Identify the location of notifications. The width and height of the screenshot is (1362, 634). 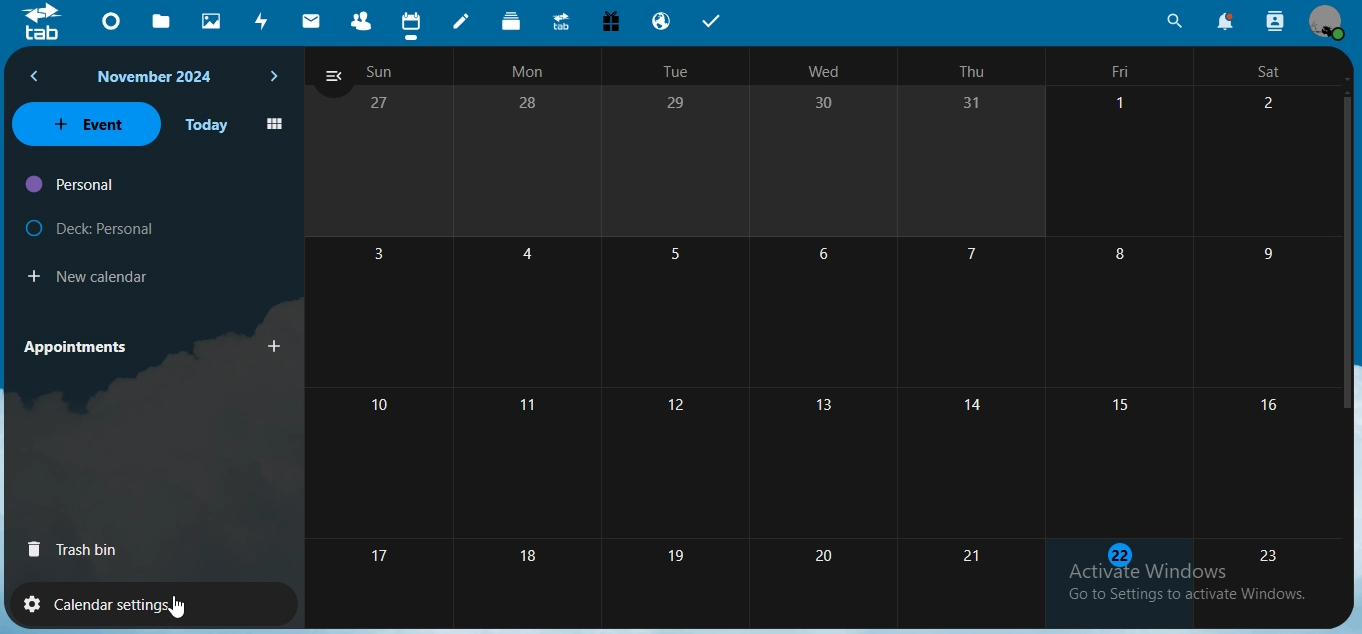
(1222, 21).